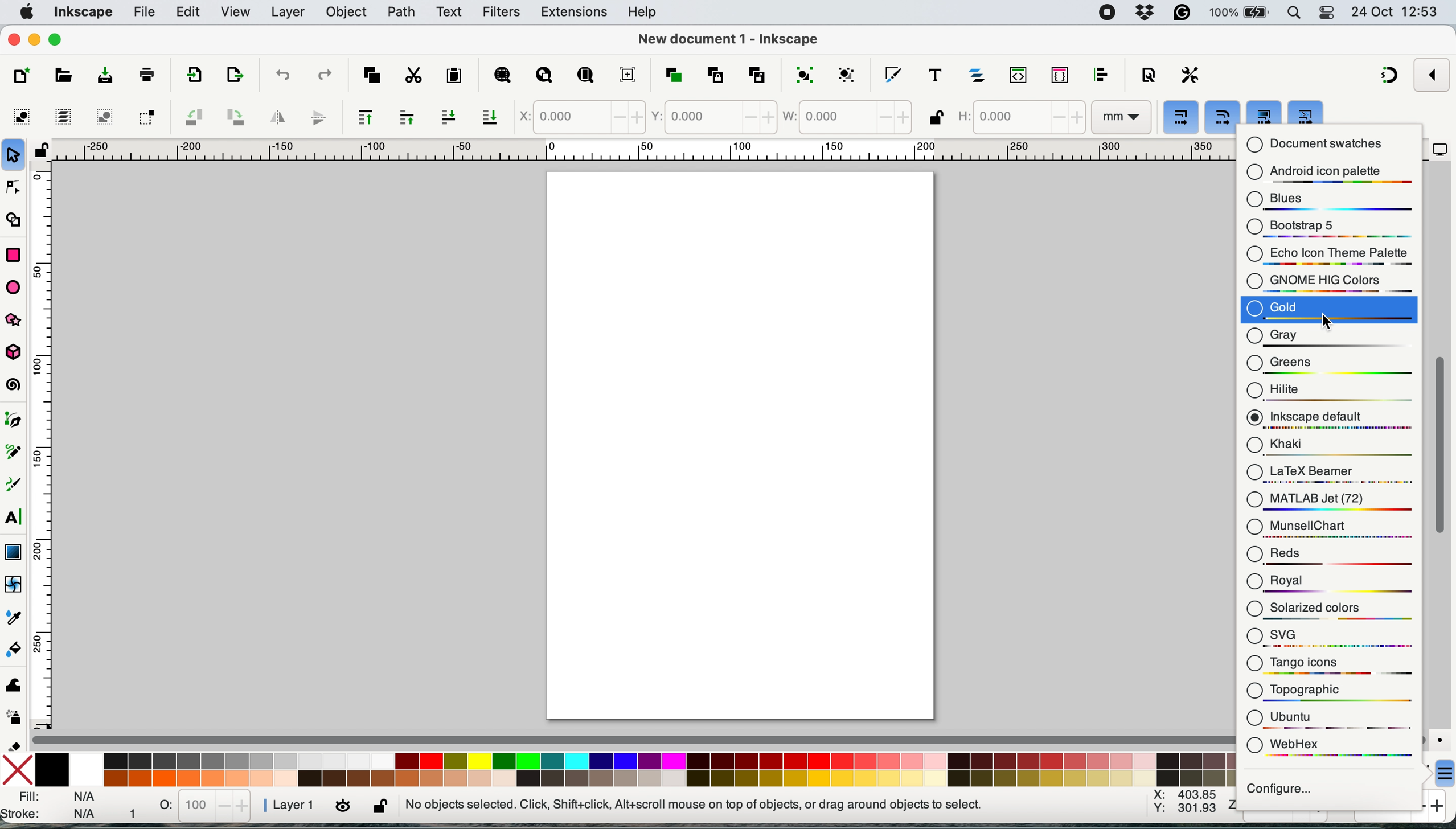  I want to click on path, so click(403, 15).